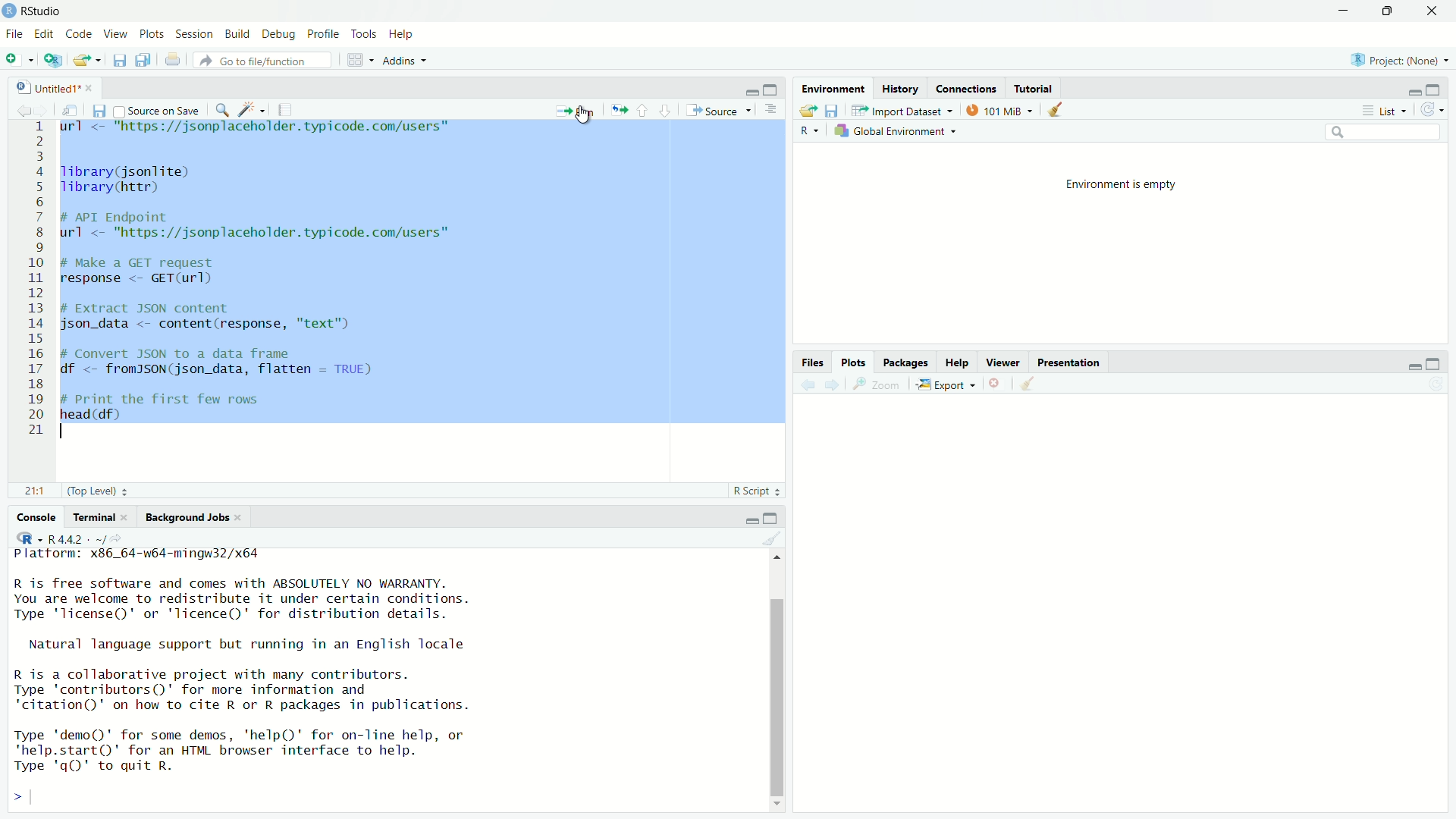 Image resolution: width=1456 pixels, height=819 pixels. What do you see at coordinates (1122, 186) in the screenshot?
I see `Environment is empty` at bounding box center [1122, 186].